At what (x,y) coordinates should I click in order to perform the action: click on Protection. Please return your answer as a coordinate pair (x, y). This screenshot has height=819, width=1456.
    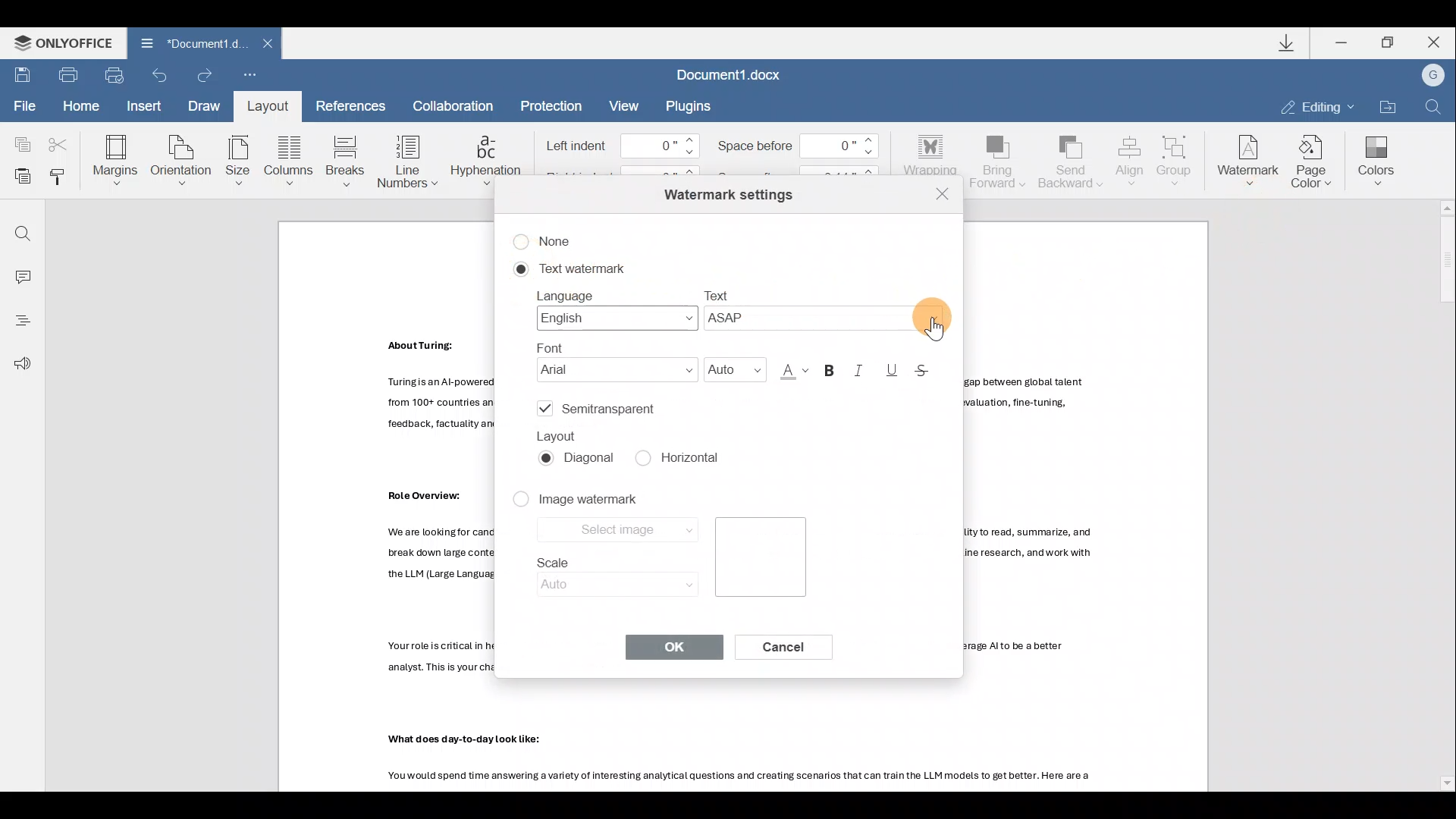
    Looking at the image, I should click on (554, 104).